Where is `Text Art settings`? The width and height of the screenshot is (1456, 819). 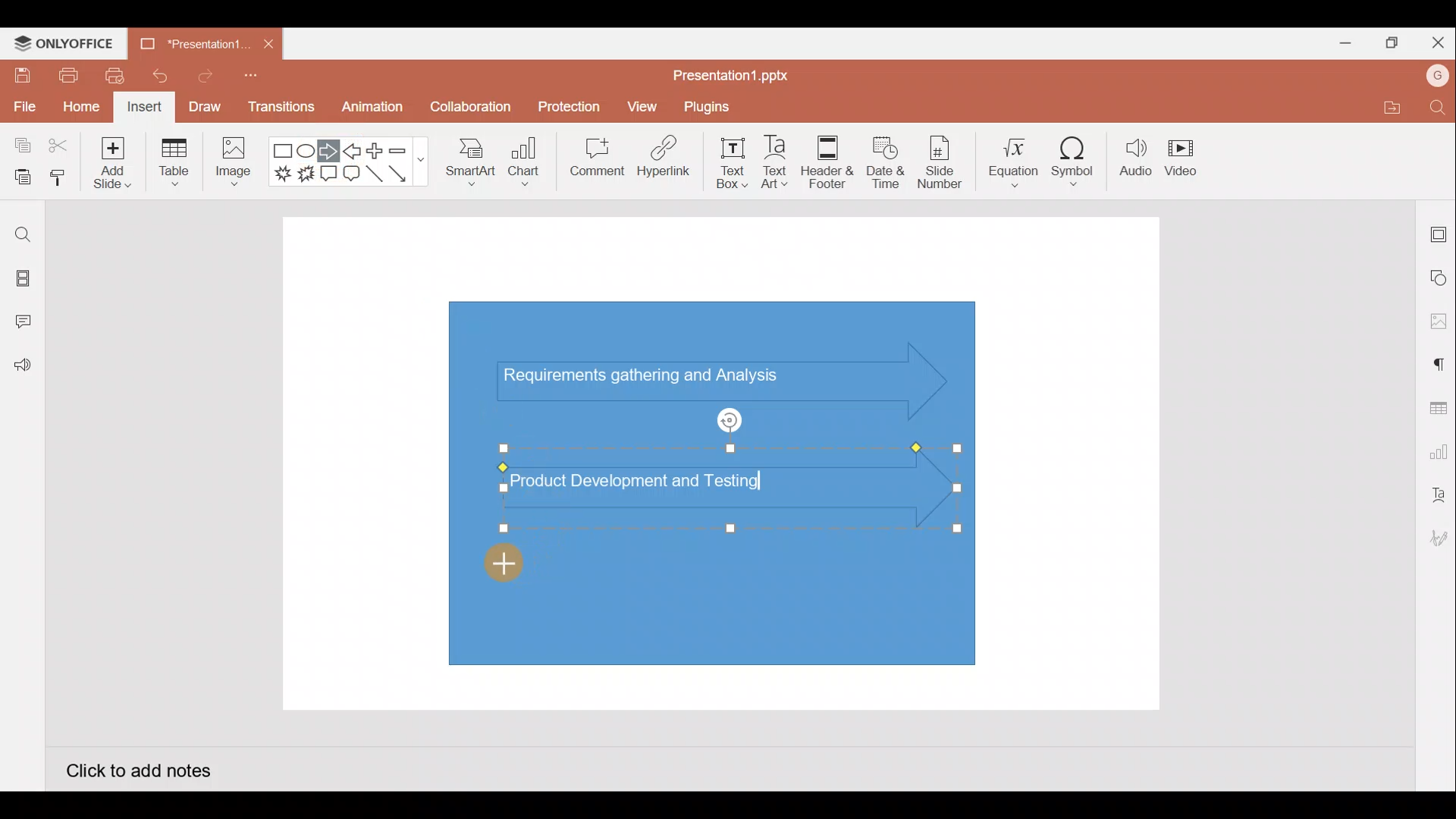
Text Art settings is located at coordinates (1437, 495).